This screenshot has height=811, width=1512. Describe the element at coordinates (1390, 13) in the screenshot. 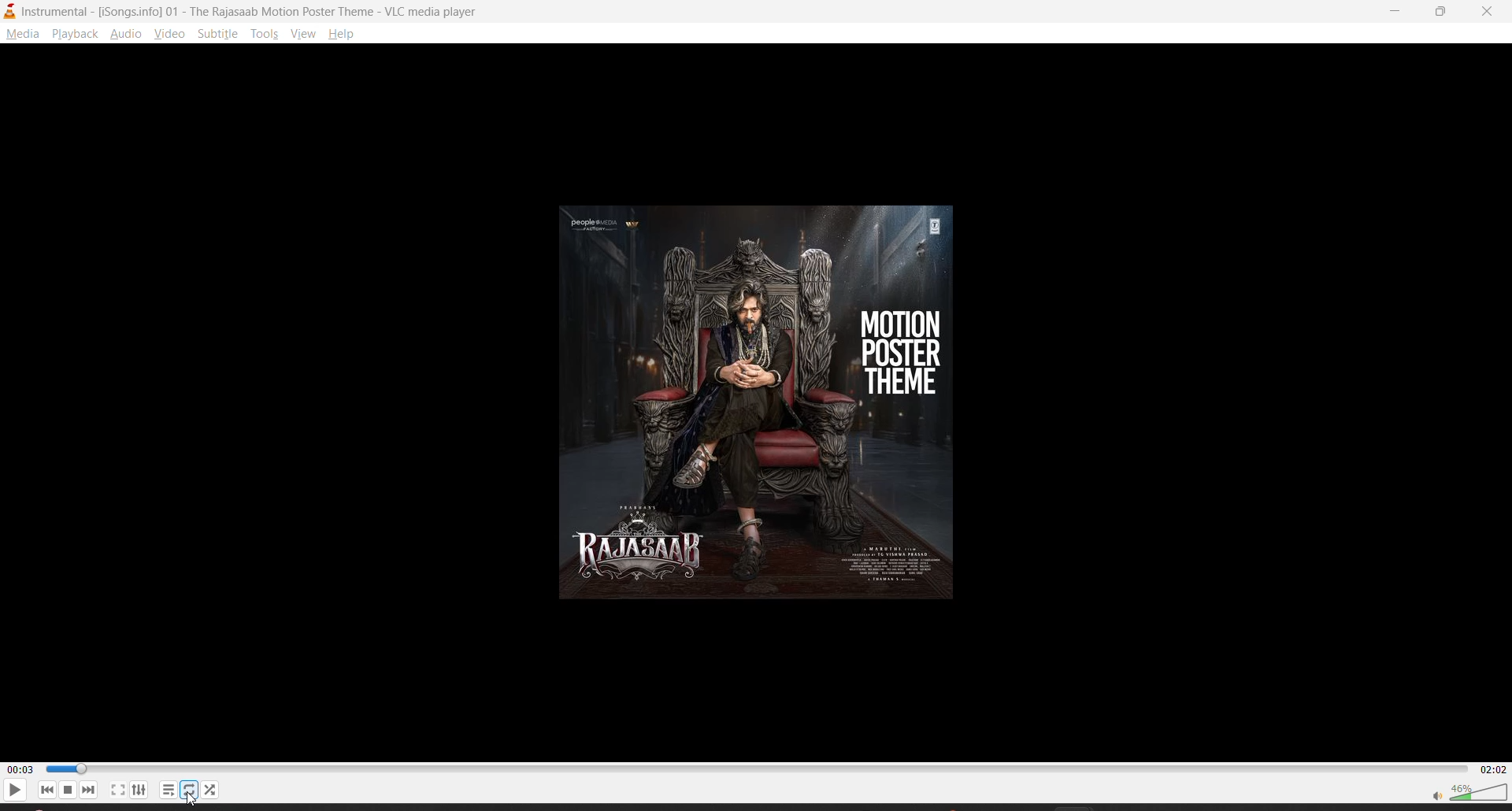

I see `minimize` at that location.